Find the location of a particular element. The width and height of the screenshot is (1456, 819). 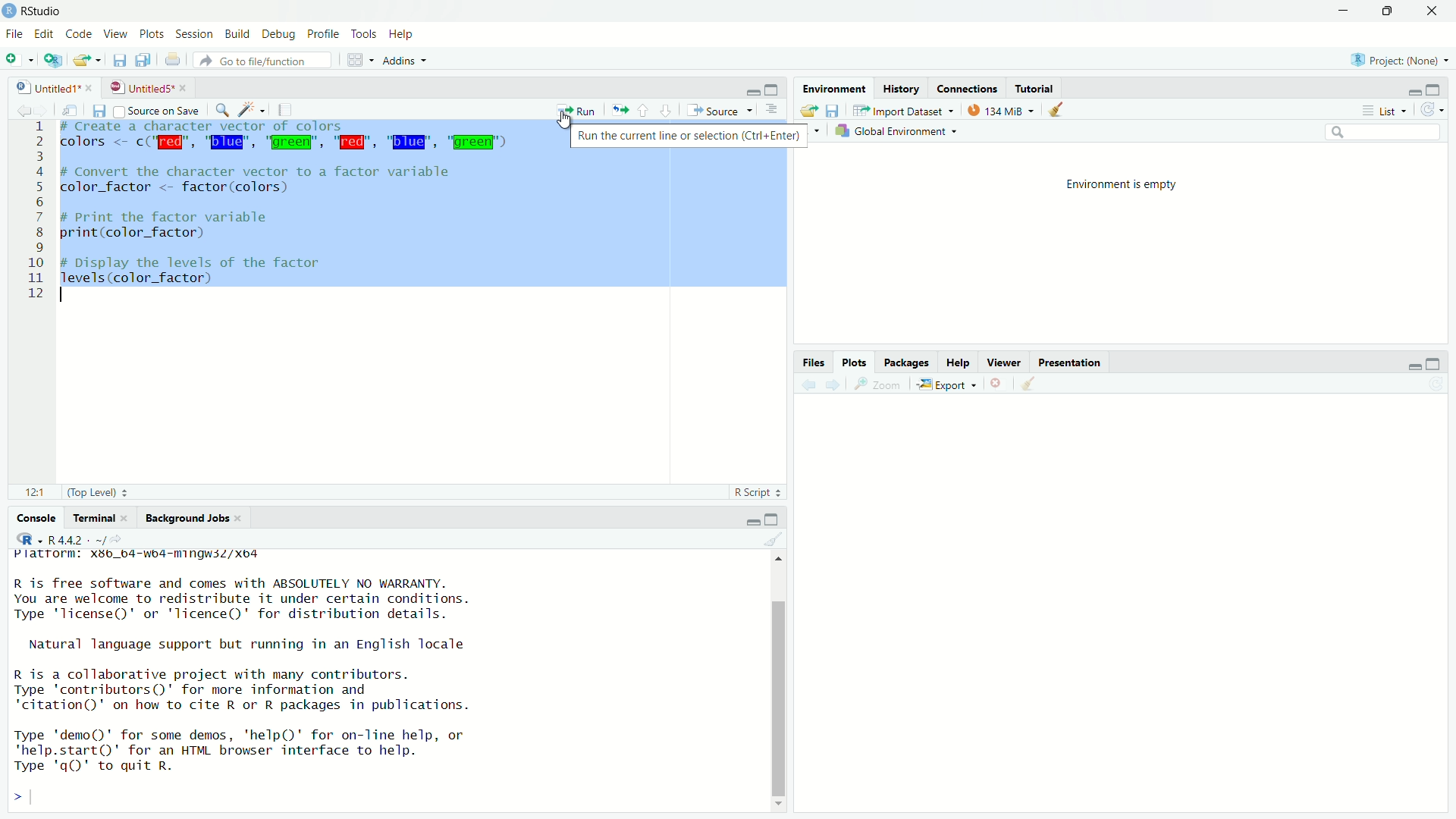

Help is located at coordinates (958, 363).